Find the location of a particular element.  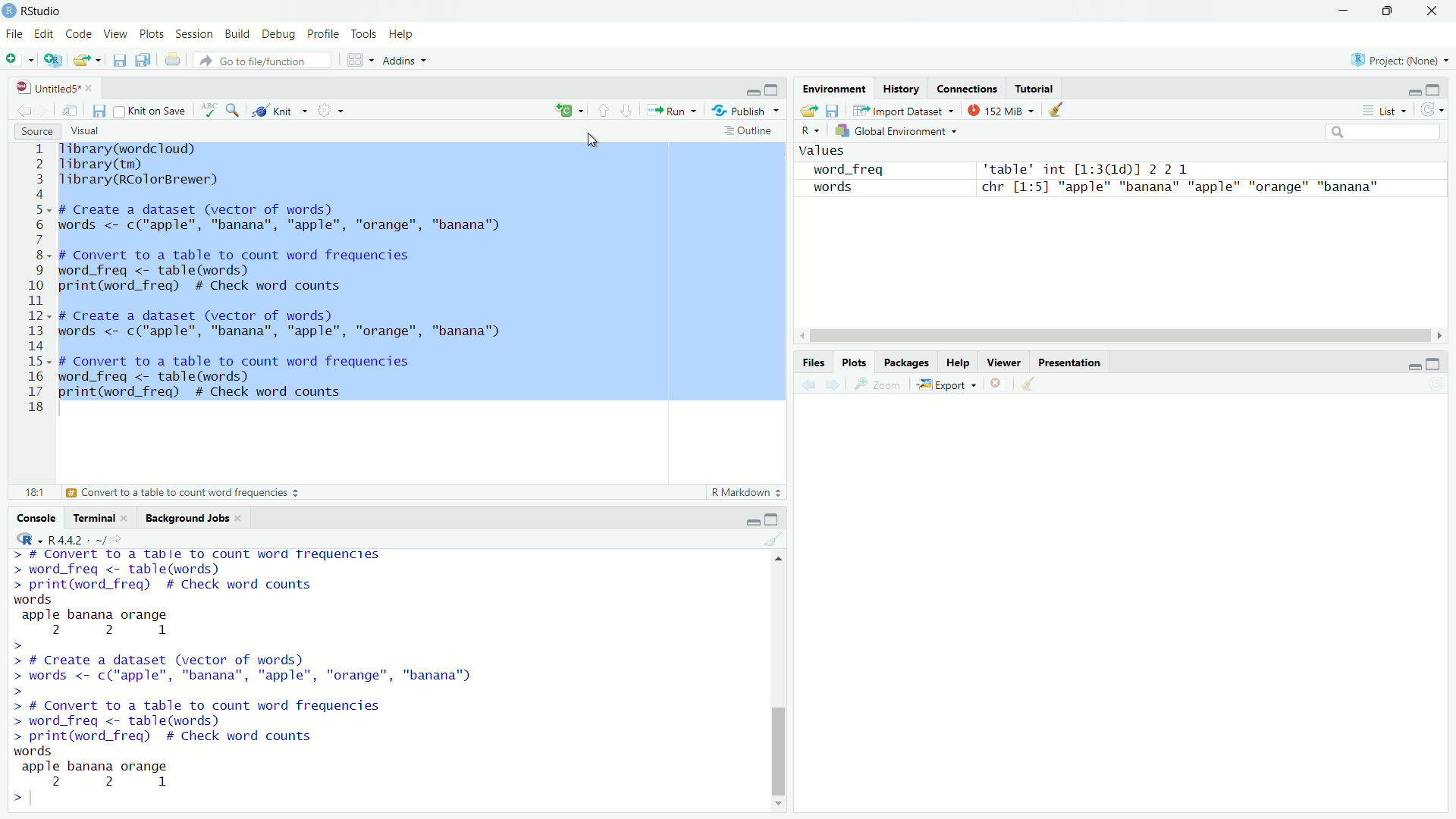

Minimize is located at coordinates (1410, 369).